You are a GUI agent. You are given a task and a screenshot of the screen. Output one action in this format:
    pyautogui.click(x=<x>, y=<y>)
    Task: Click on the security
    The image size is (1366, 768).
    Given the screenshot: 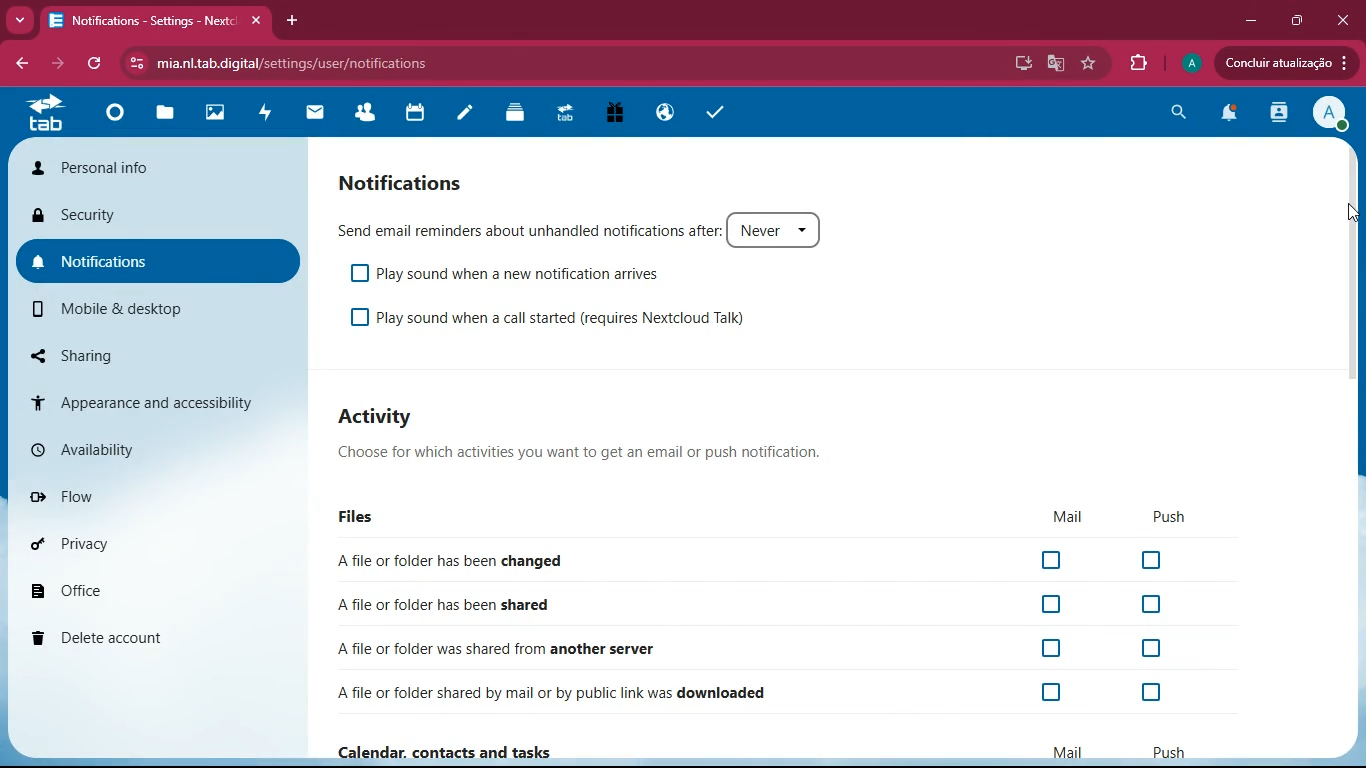 What is the action you would take?
    pyautogui.click(x=160, y=217)
    